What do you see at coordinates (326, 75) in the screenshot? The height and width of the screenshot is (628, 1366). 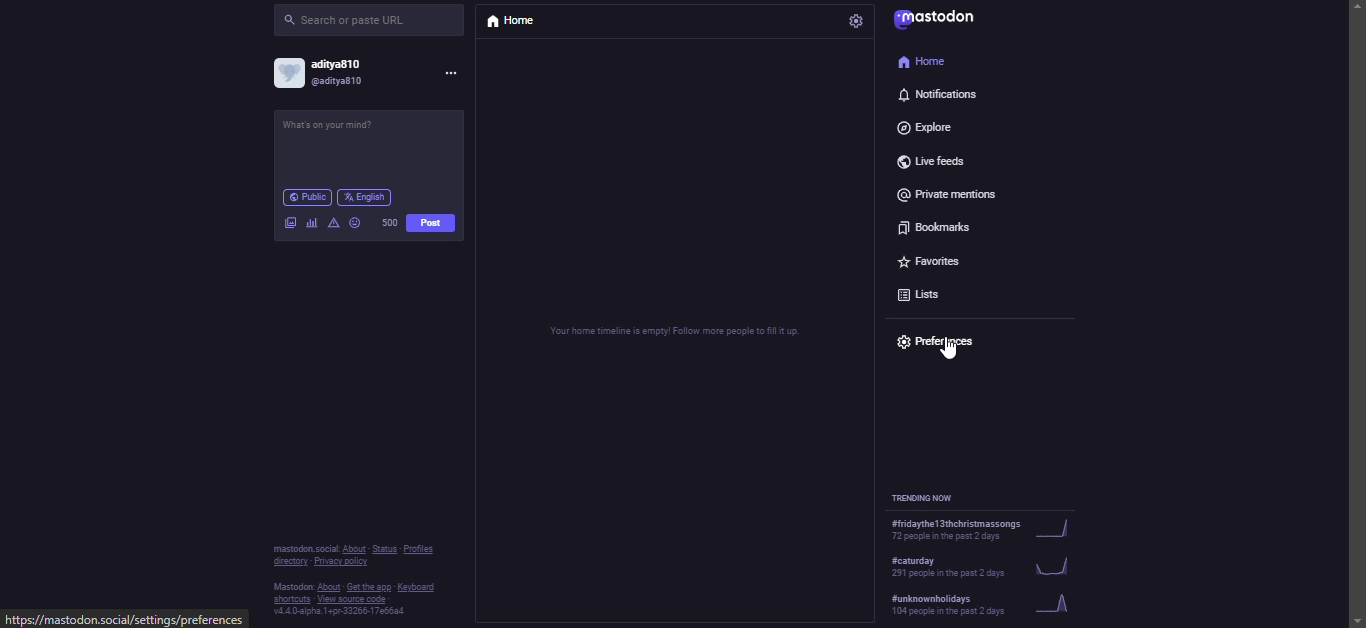 I see `account` at bounding box center [326, 75].